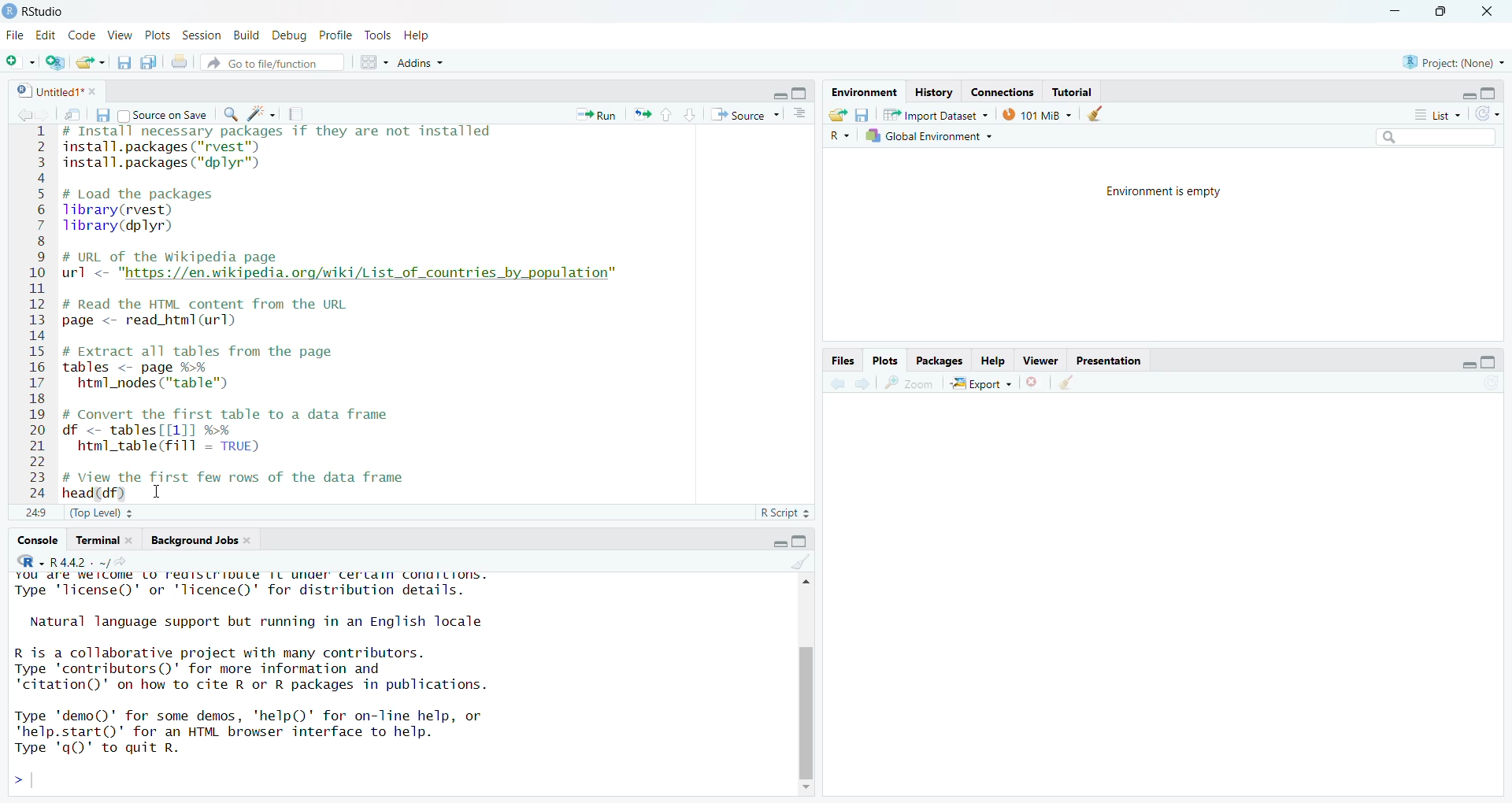 The width and height of the screenshot is (1512, 803). Describe the element at coordinates (884, 360) in the screenshot. I see `Plots` at that location.